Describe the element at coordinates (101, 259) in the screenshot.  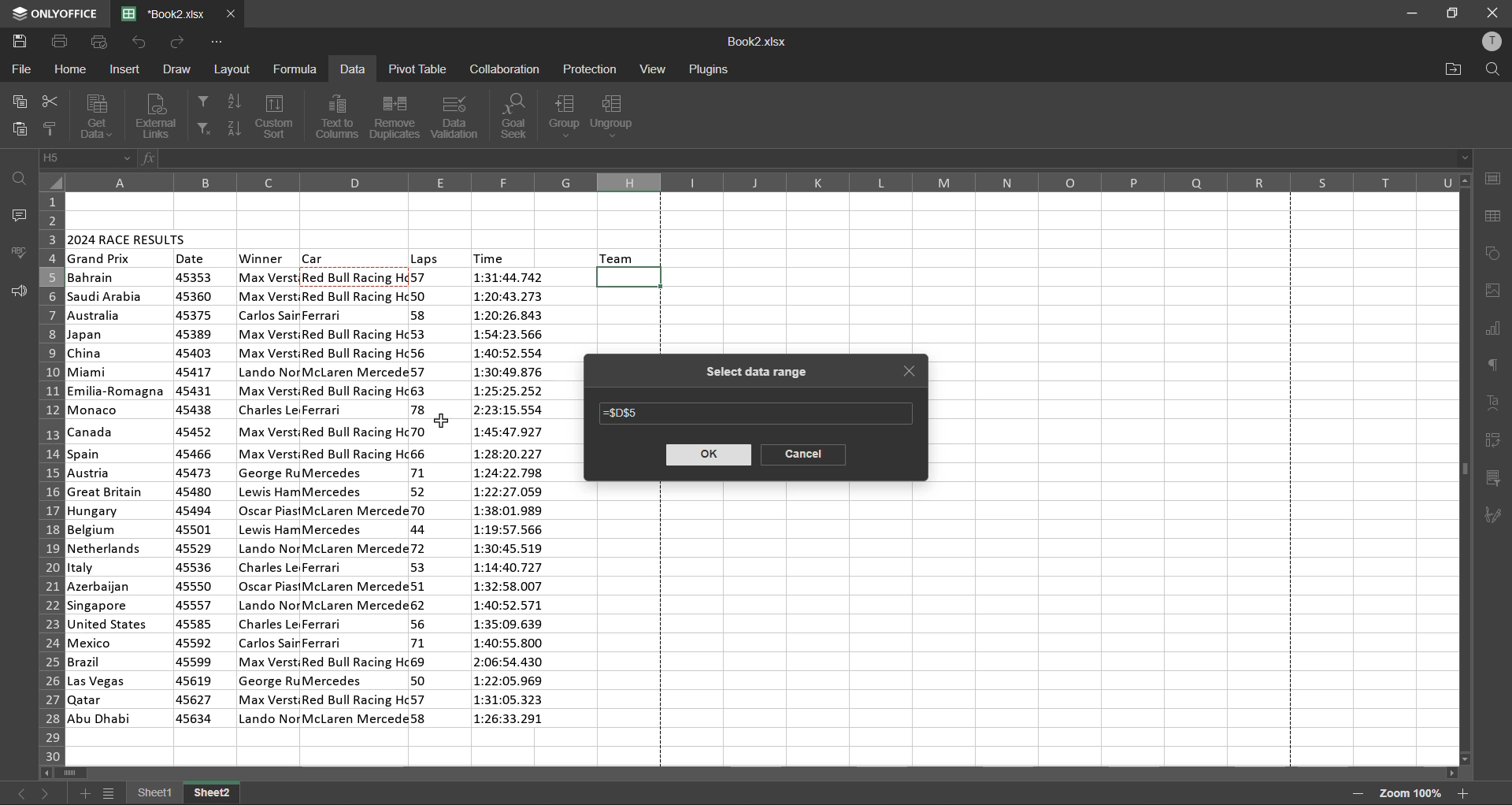
I see `grand prix` at that location.